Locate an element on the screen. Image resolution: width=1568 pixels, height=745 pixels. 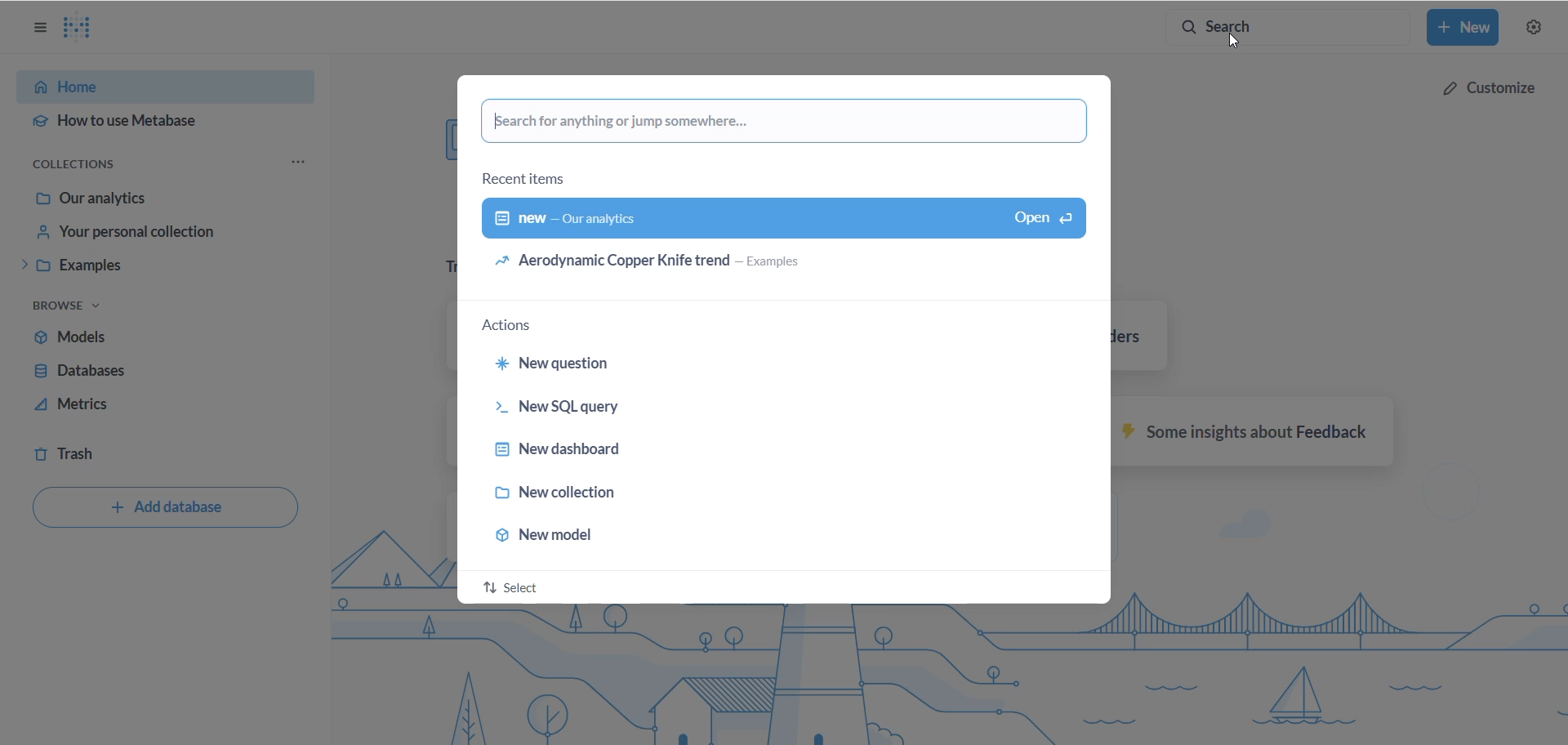
new model is located at coordinates (756, 538).